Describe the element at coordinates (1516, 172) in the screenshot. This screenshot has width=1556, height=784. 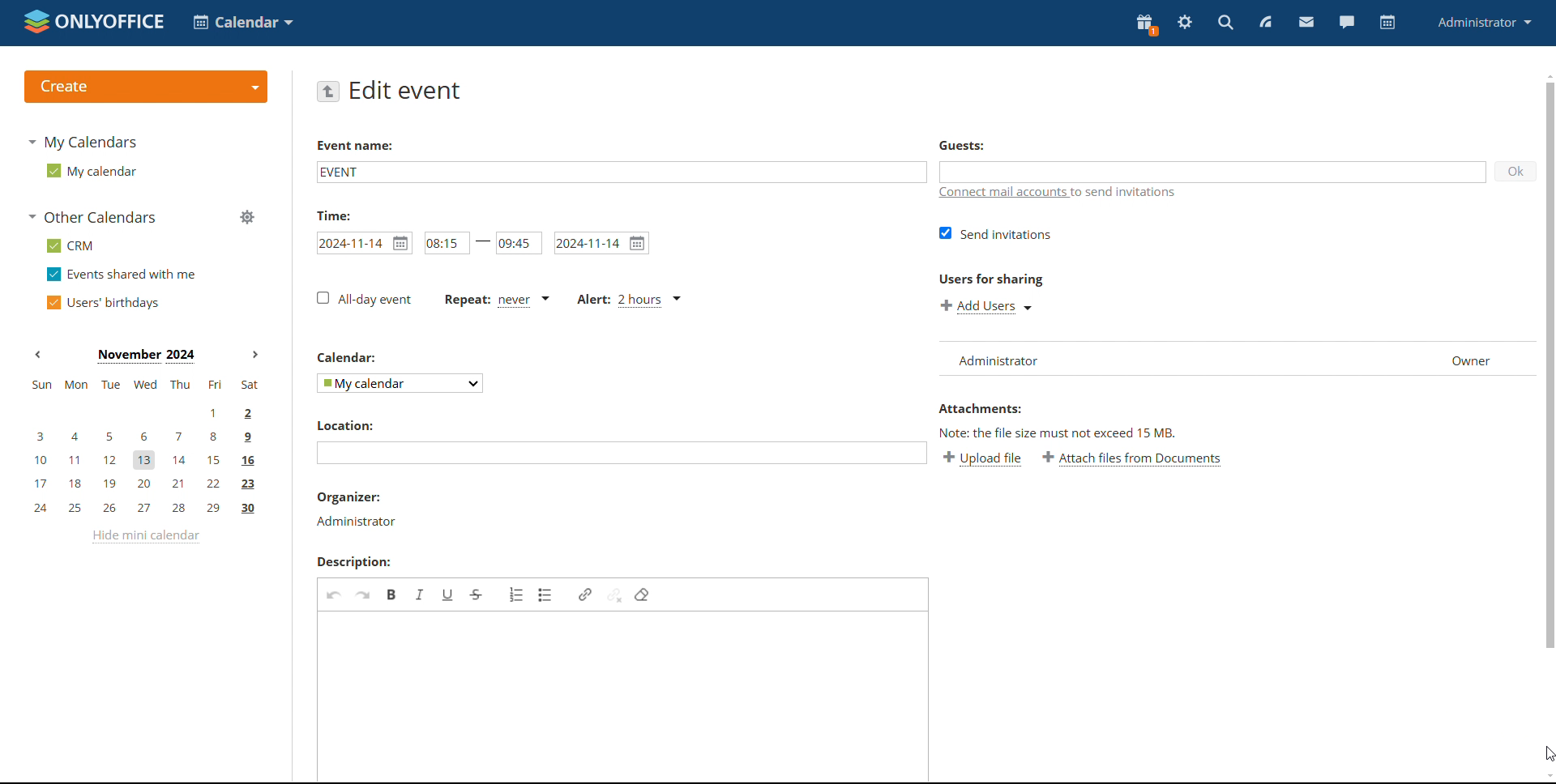
I see `ok` at that location.